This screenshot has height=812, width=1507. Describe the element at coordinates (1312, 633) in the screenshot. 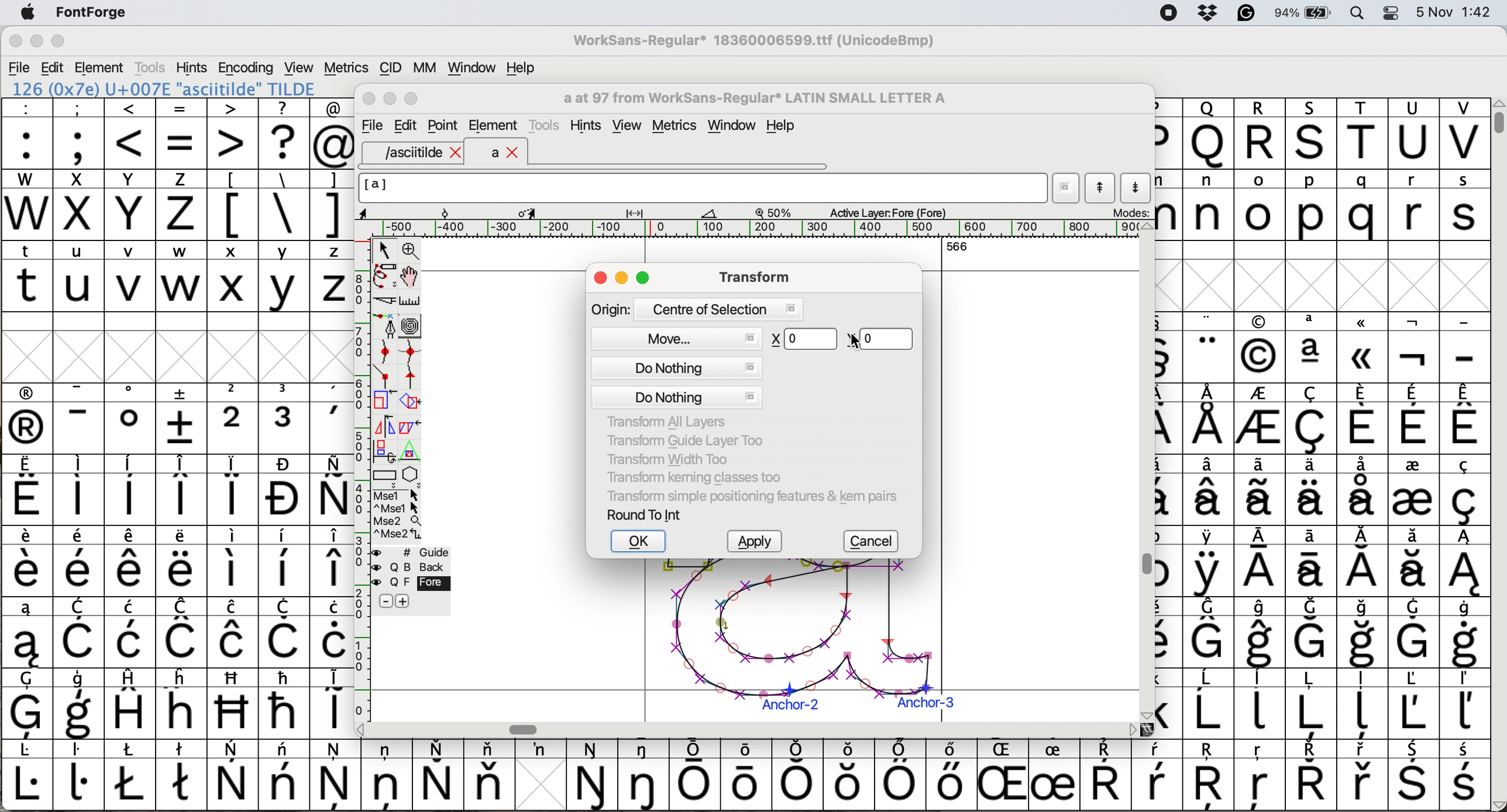

I see `symbol` at that location.